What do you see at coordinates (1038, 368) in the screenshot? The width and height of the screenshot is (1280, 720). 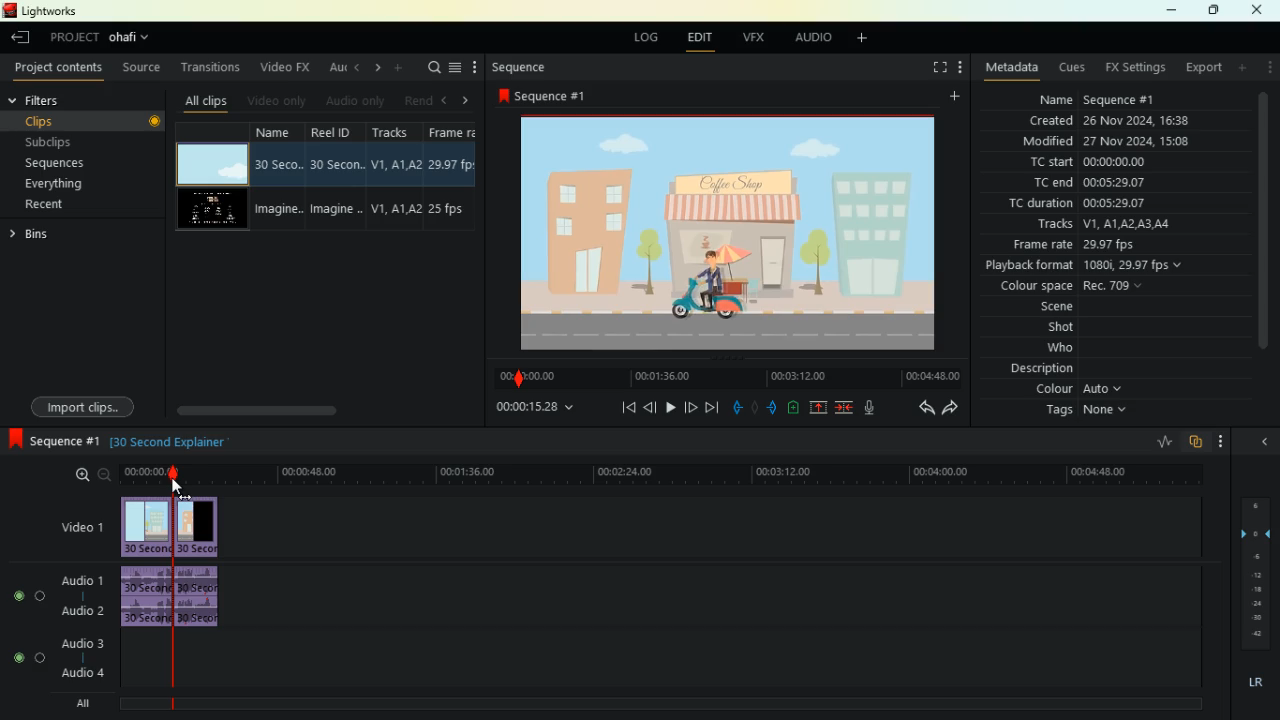 I see `description` at bounding box center [1038, 368].